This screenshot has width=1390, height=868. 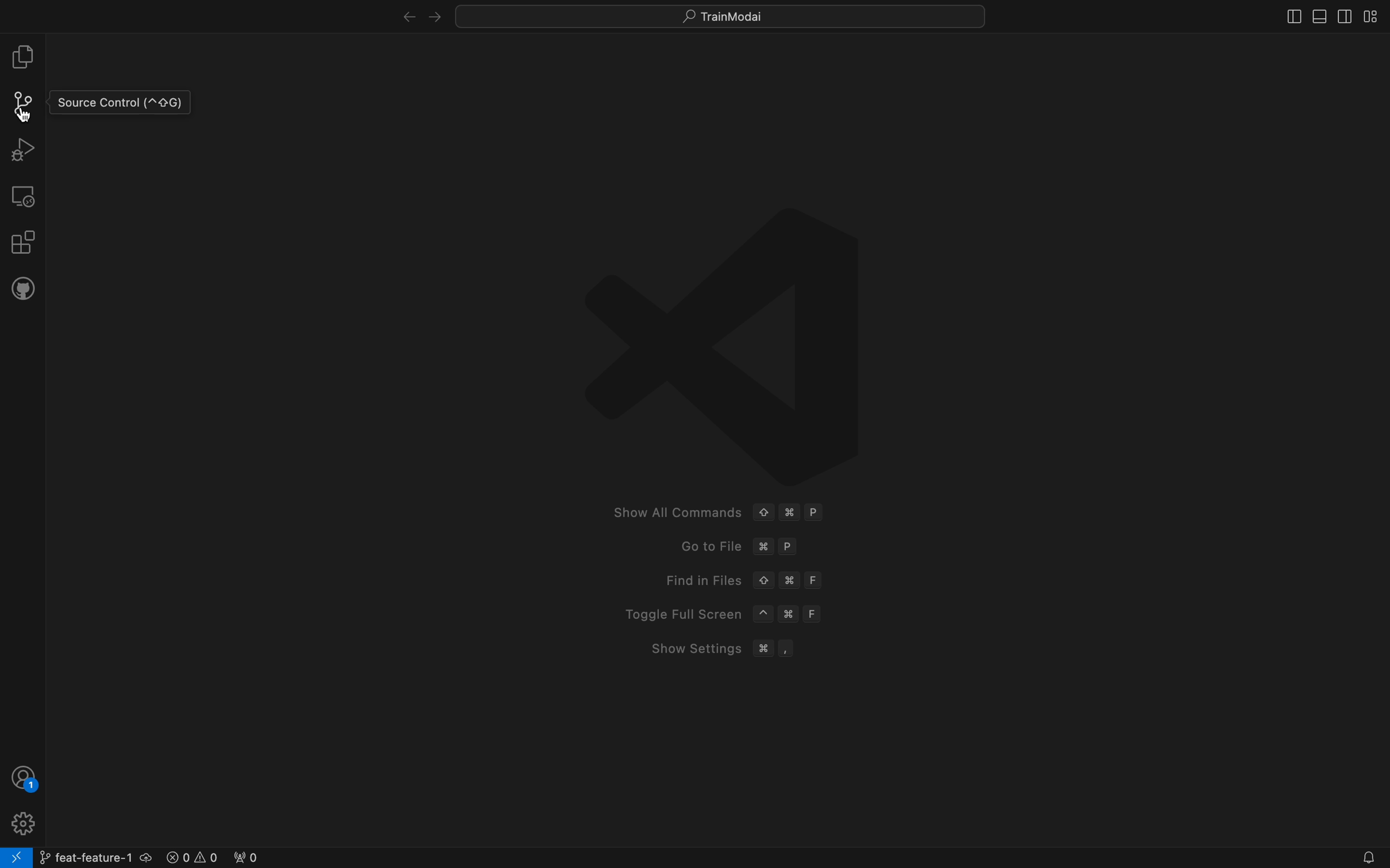 I want to click on file, so click(x=23, y=57).